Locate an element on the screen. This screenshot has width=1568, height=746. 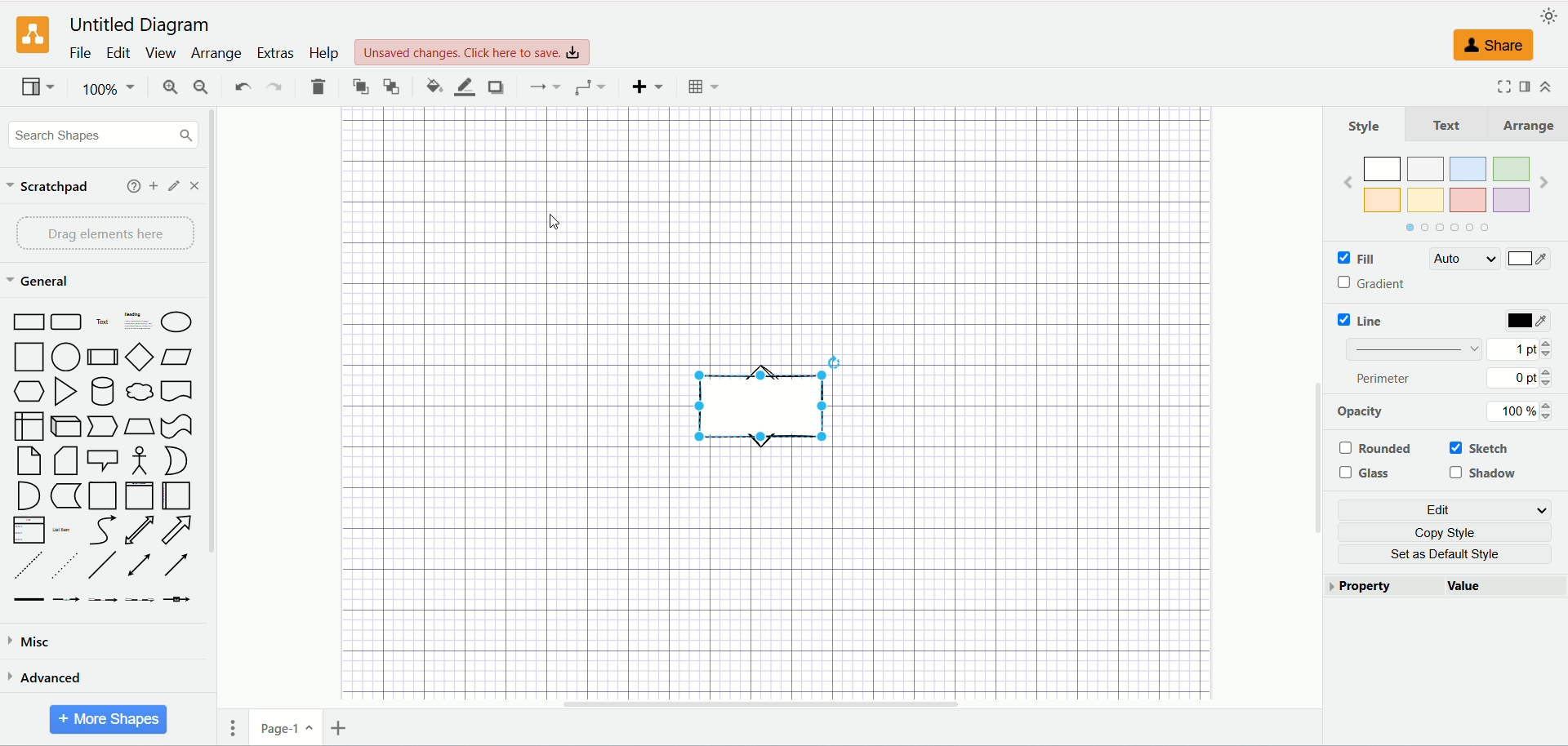
pages is located at coordinates (238, 725).